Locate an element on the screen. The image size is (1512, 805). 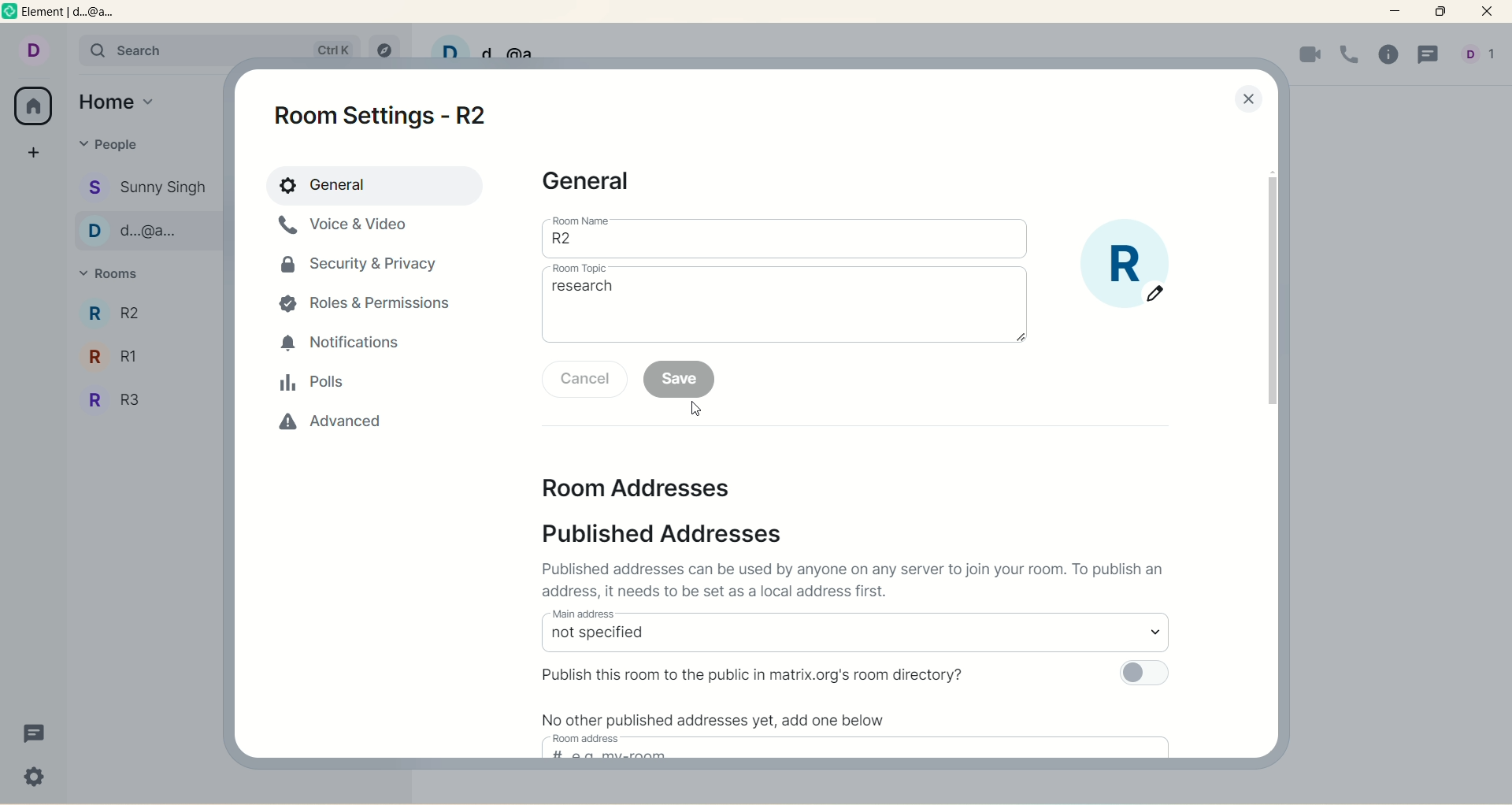
logo is located at coordinates (10, 14).